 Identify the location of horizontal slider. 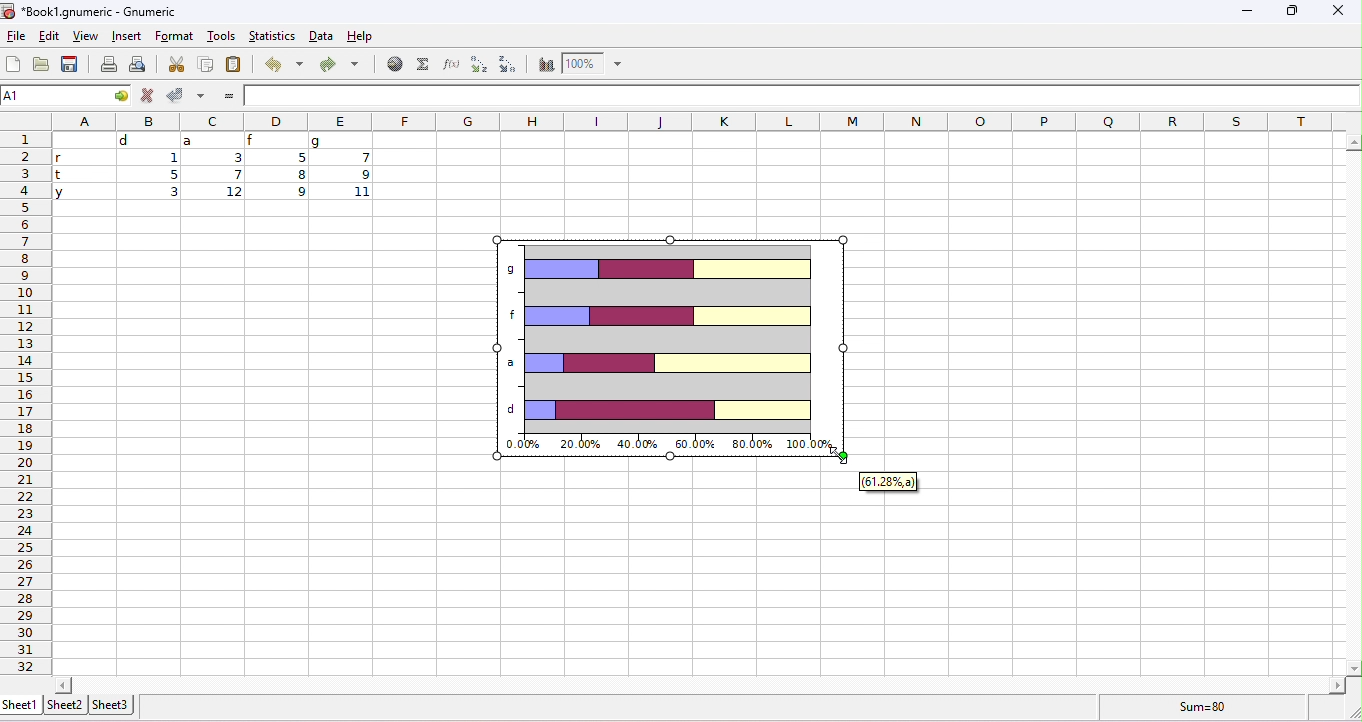
(699, 685).